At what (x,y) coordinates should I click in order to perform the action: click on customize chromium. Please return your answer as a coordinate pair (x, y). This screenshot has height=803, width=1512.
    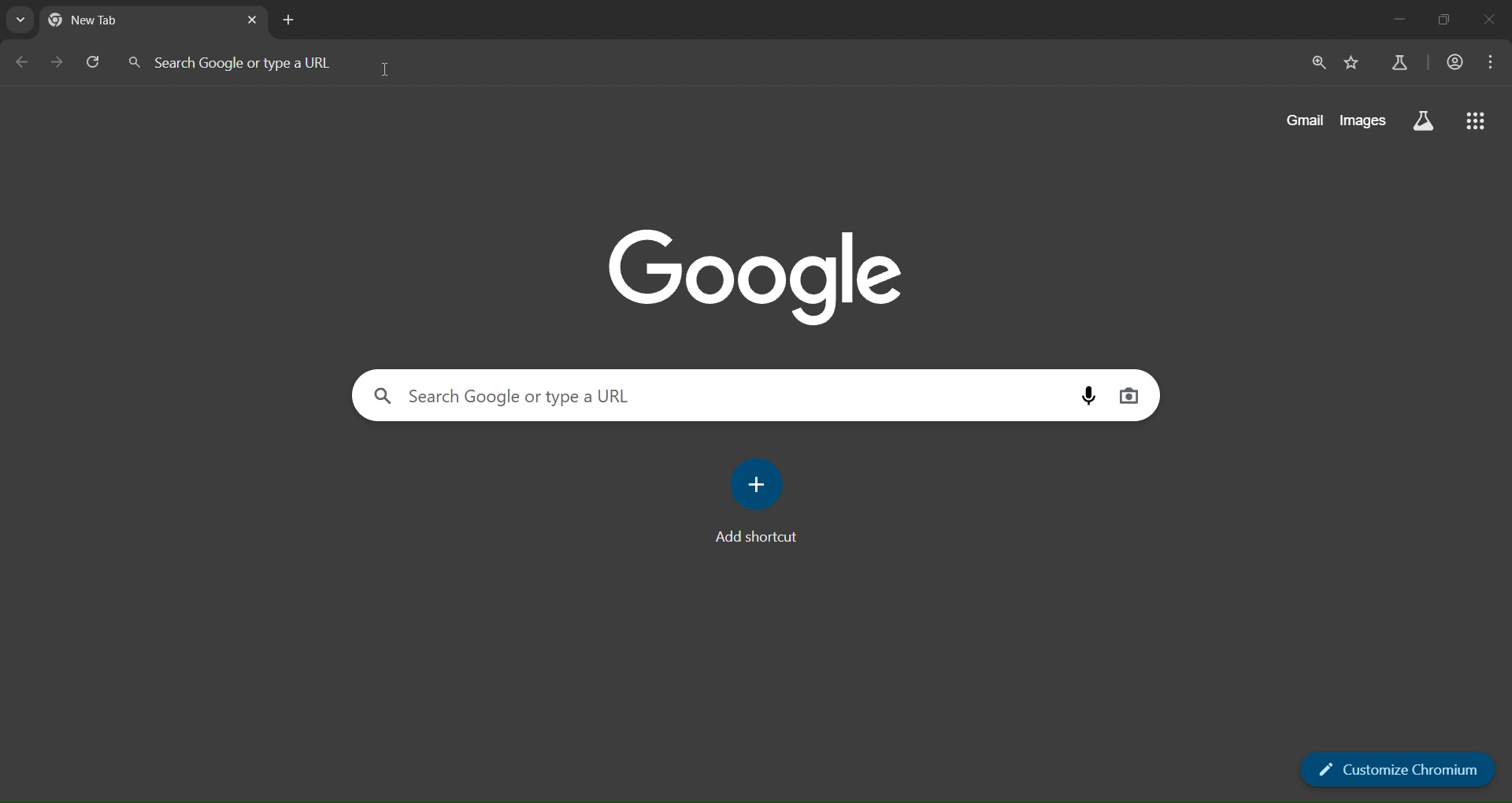
    Looking at the image, I should click on (1403, 770).